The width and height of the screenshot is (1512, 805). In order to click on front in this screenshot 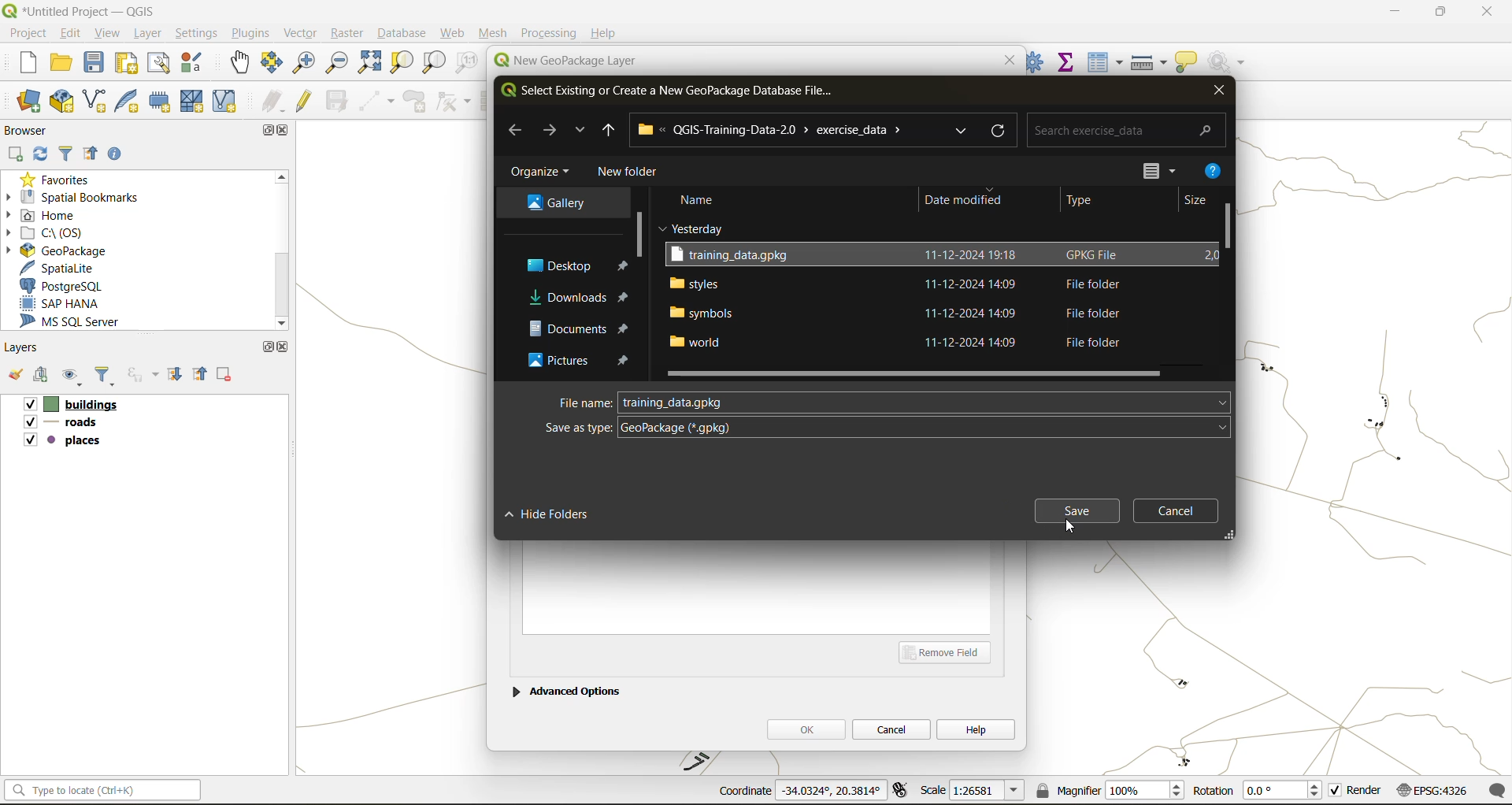, I will do `click(549, 131)`.